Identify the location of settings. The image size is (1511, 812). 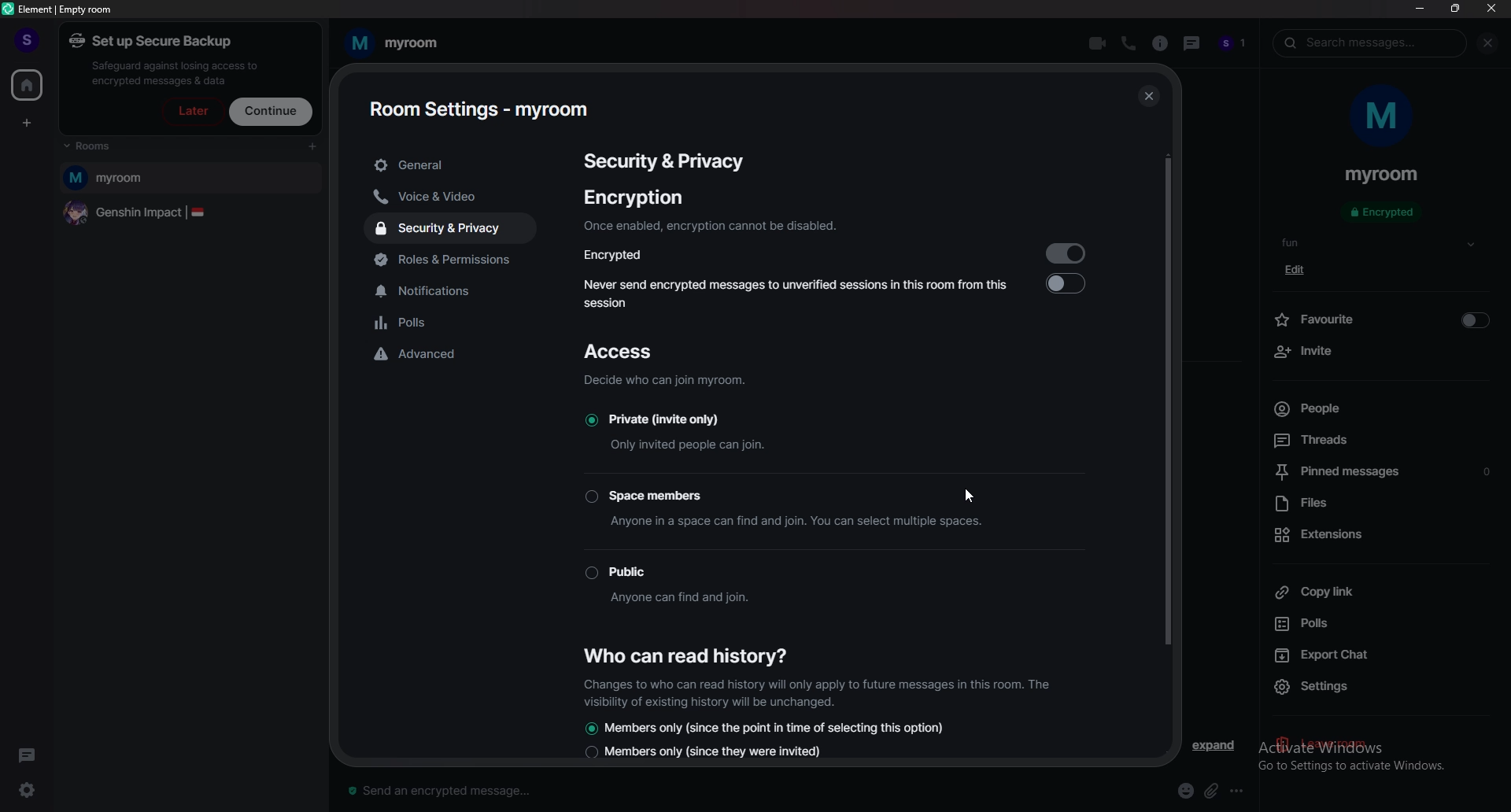
(1313, 688).